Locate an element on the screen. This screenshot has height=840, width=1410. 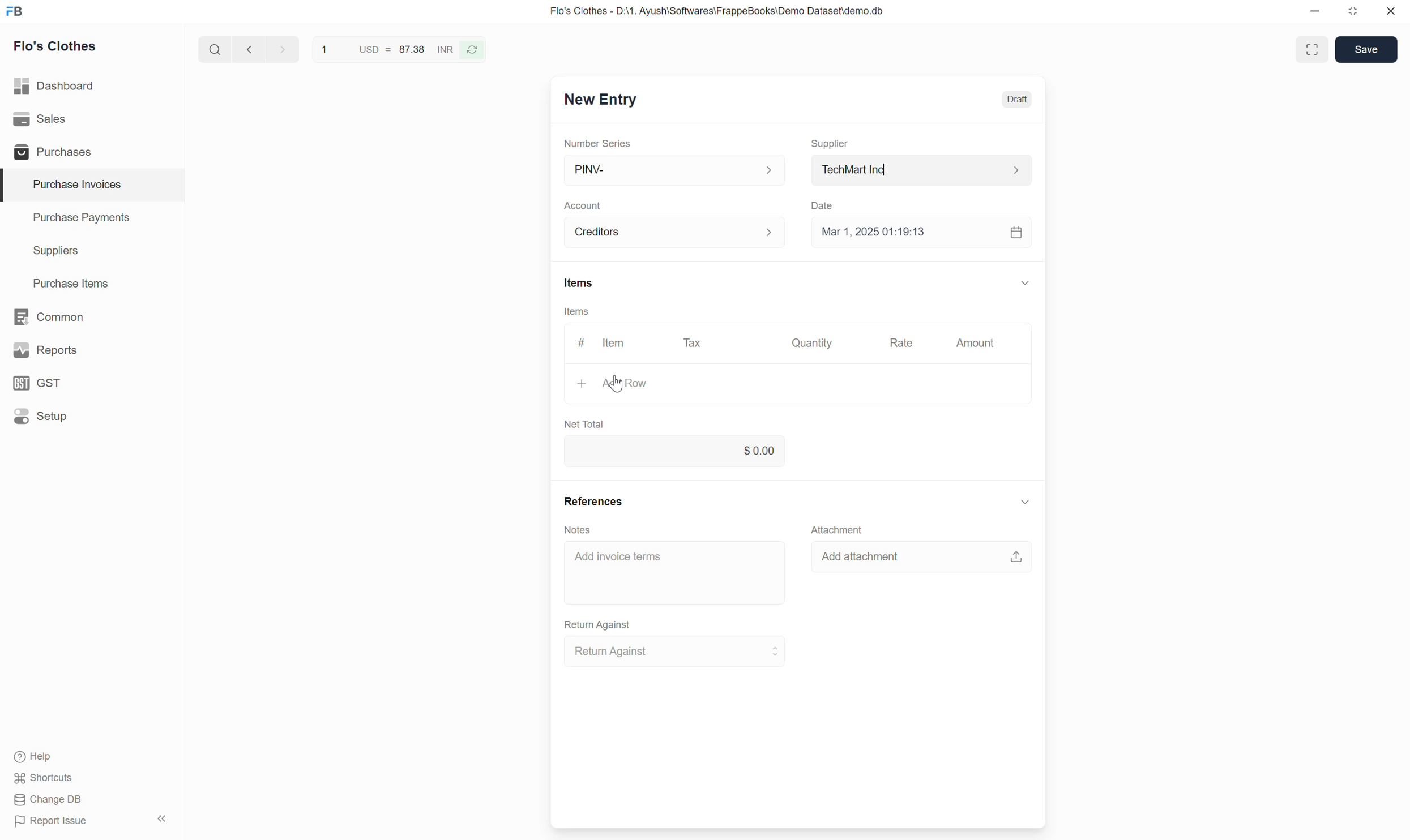
Report issue is located at coordinates (55, 823).